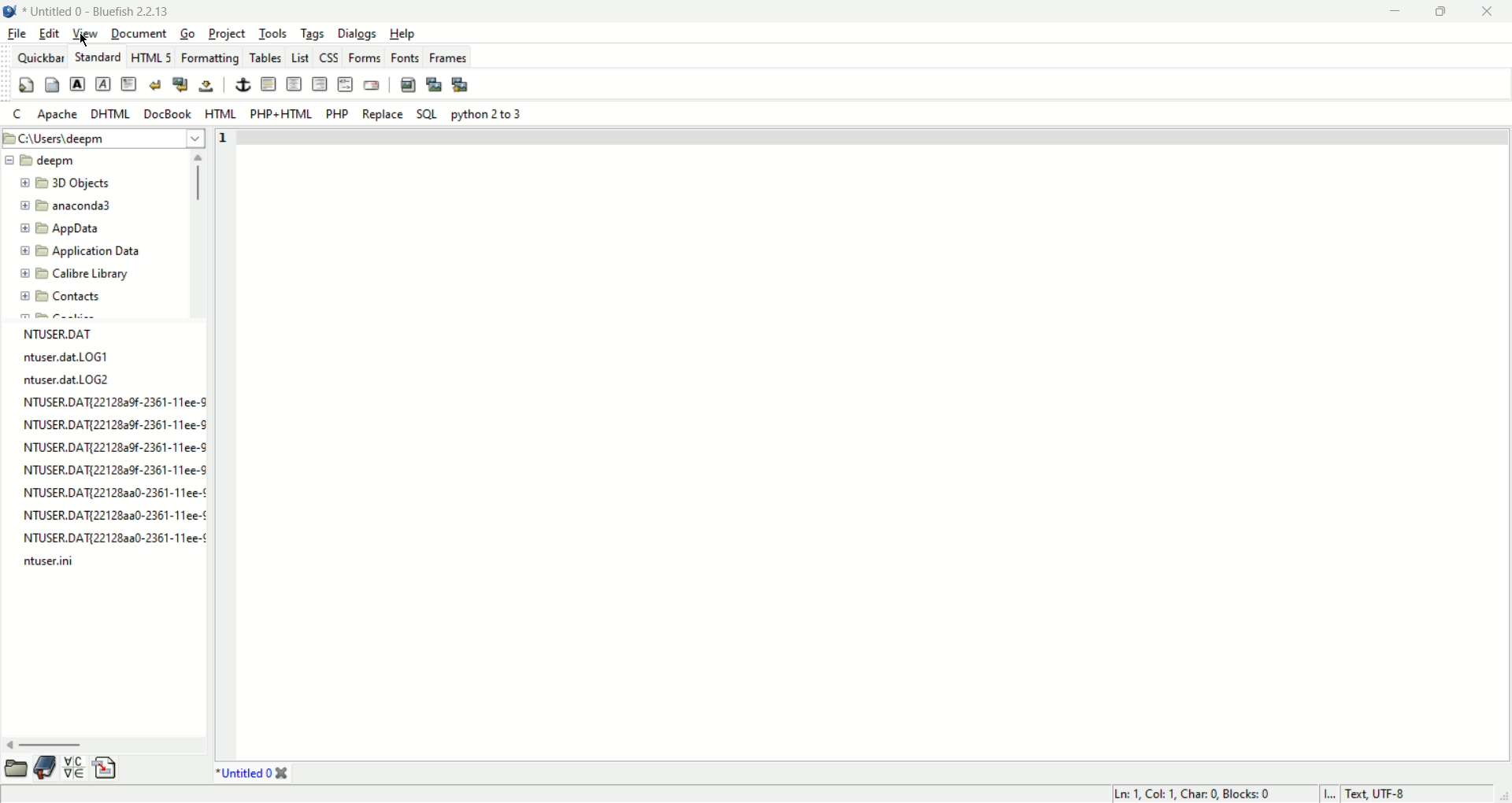 Image resolution: width=1512 pixels, height=803 pixels. Describe the element at coordinates (319, 83) in the screenshot. I see `right justify` at that location.